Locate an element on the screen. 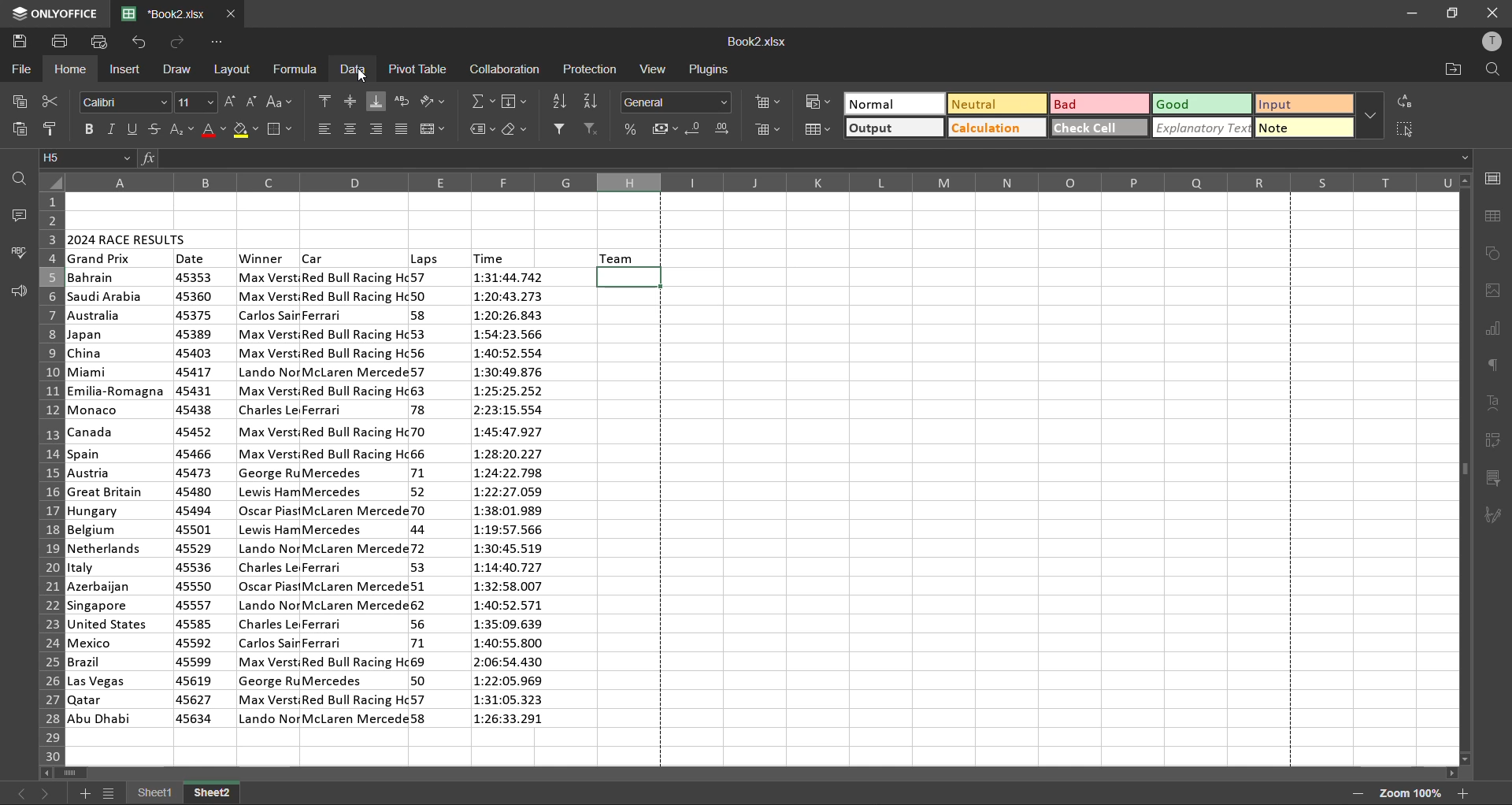 Image resolution: width=1512 pixels, height=805 pixels. collaboration is located at coordinates (504, 69).